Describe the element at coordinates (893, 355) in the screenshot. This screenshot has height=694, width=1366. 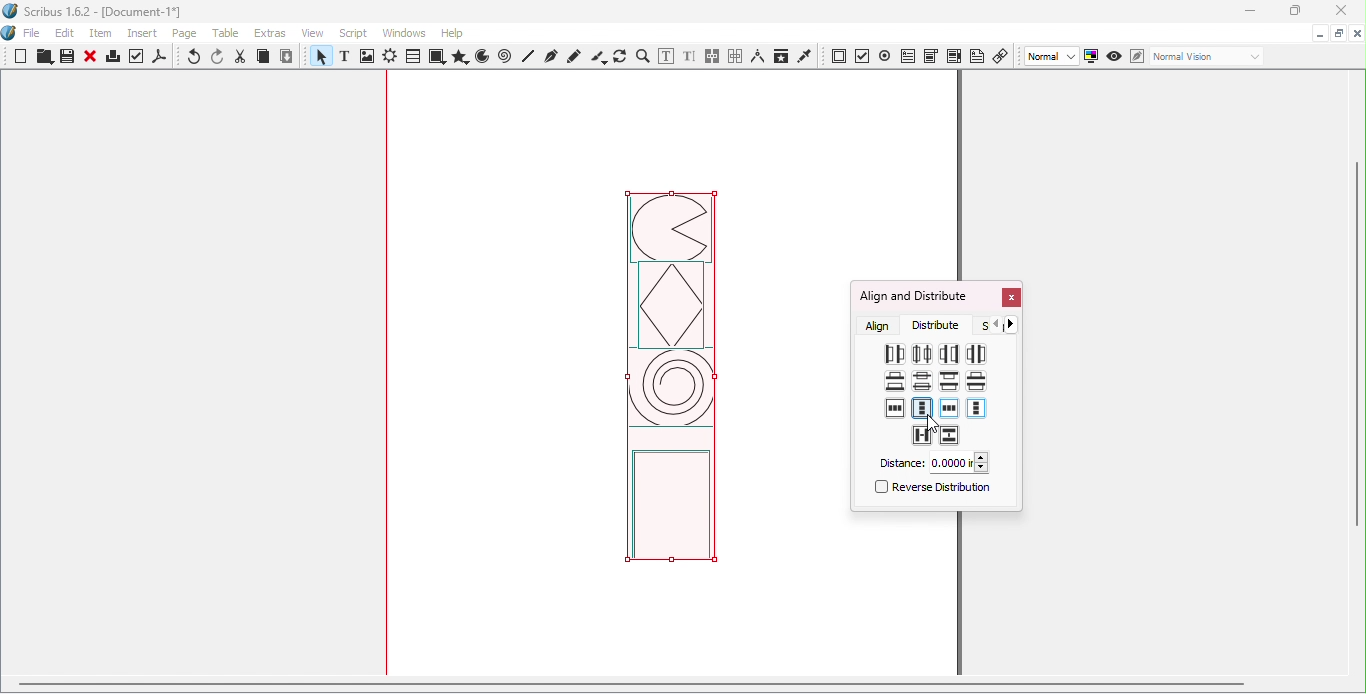
I see `Distribute left sides equidistantly` at that location.